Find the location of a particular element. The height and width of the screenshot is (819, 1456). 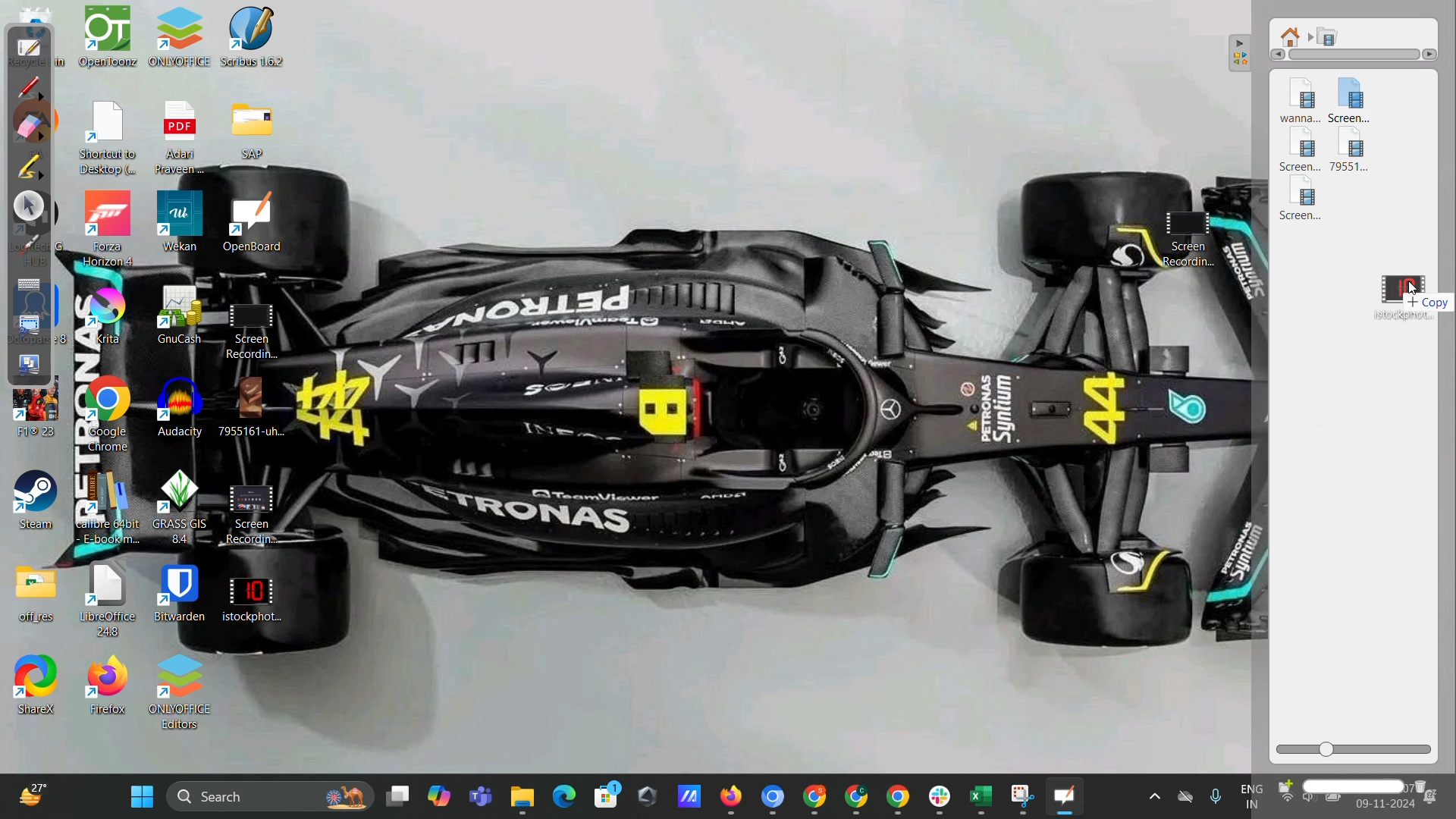

root is located at coordinates (1291, 35).